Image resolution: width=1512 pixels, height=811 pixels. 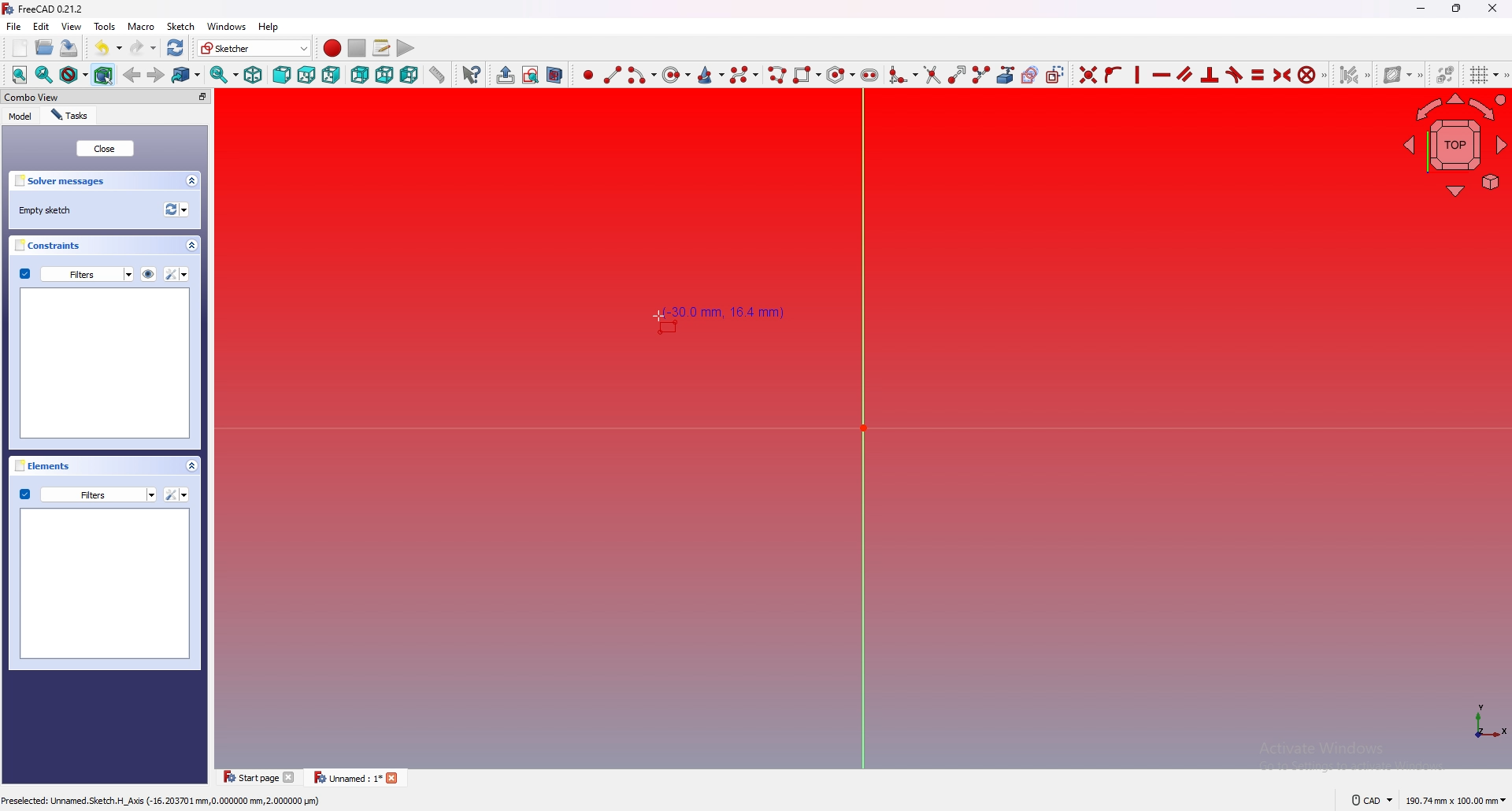 I want to click on right, so click(x=331, y=75).